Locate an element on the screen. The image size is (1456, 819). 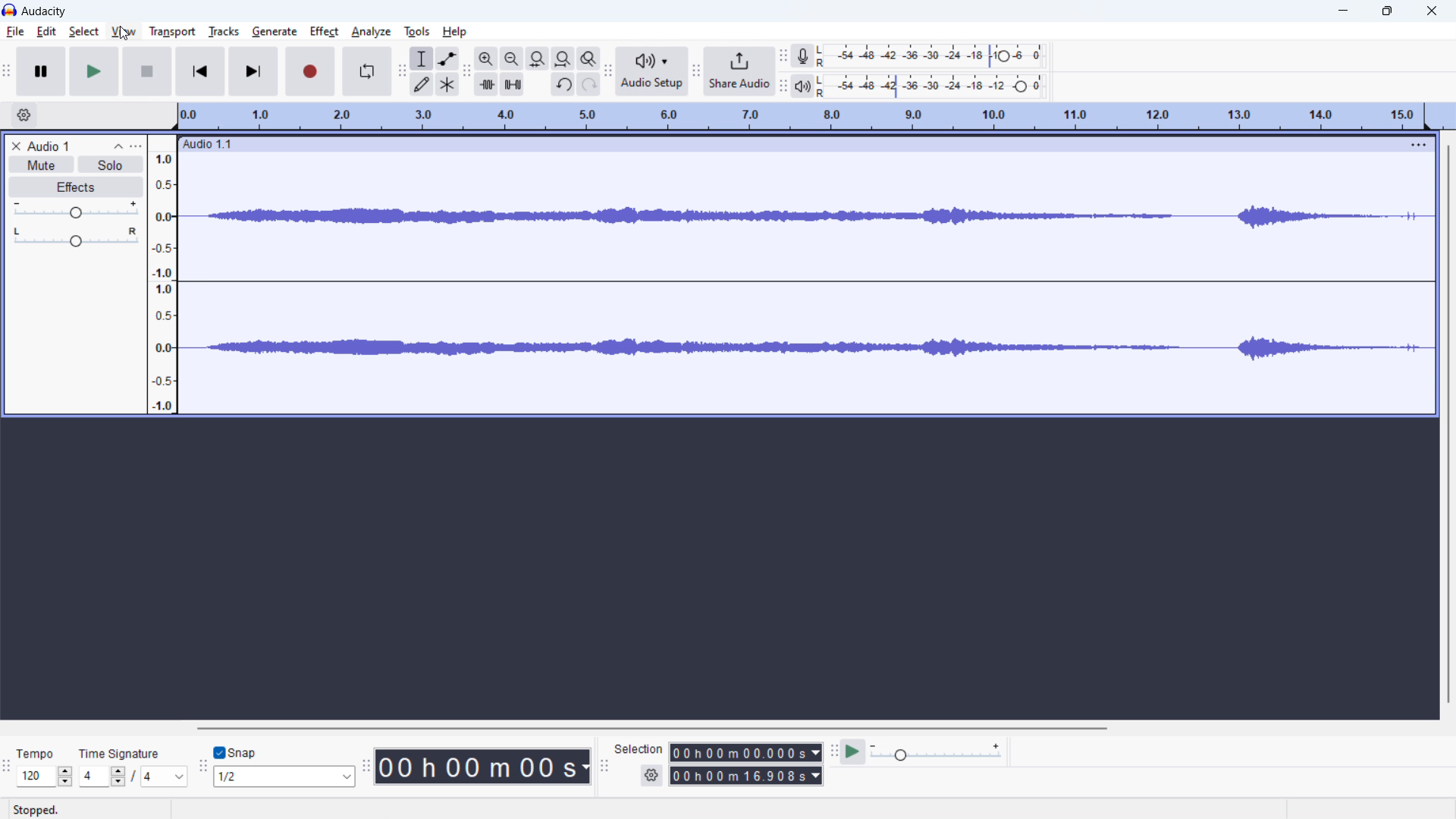
play is located at coordinates (94, 71).